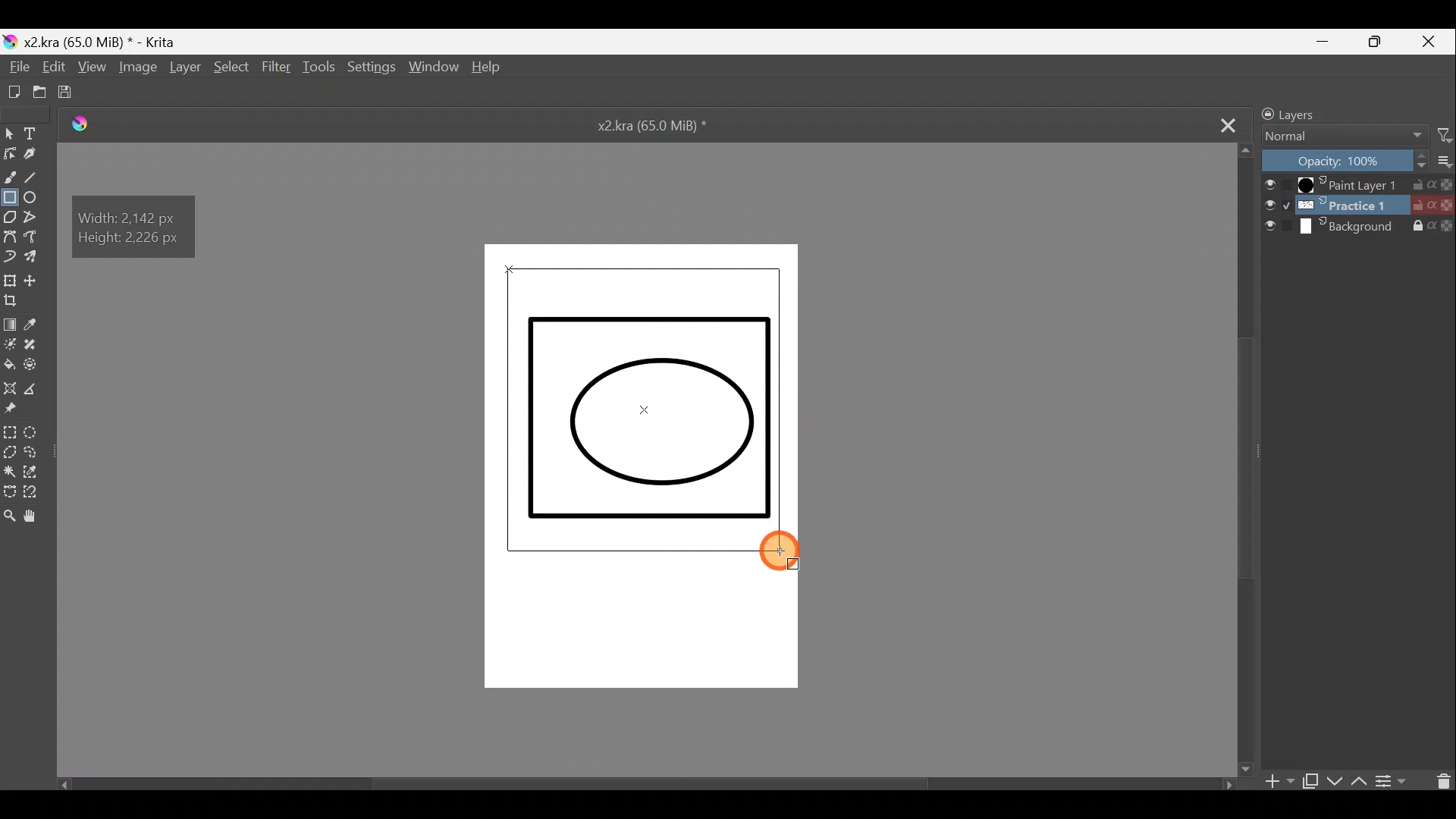 This screenshot has width=1456, height=819. I want to click on Polygonal selection tool, so click(10, 455).